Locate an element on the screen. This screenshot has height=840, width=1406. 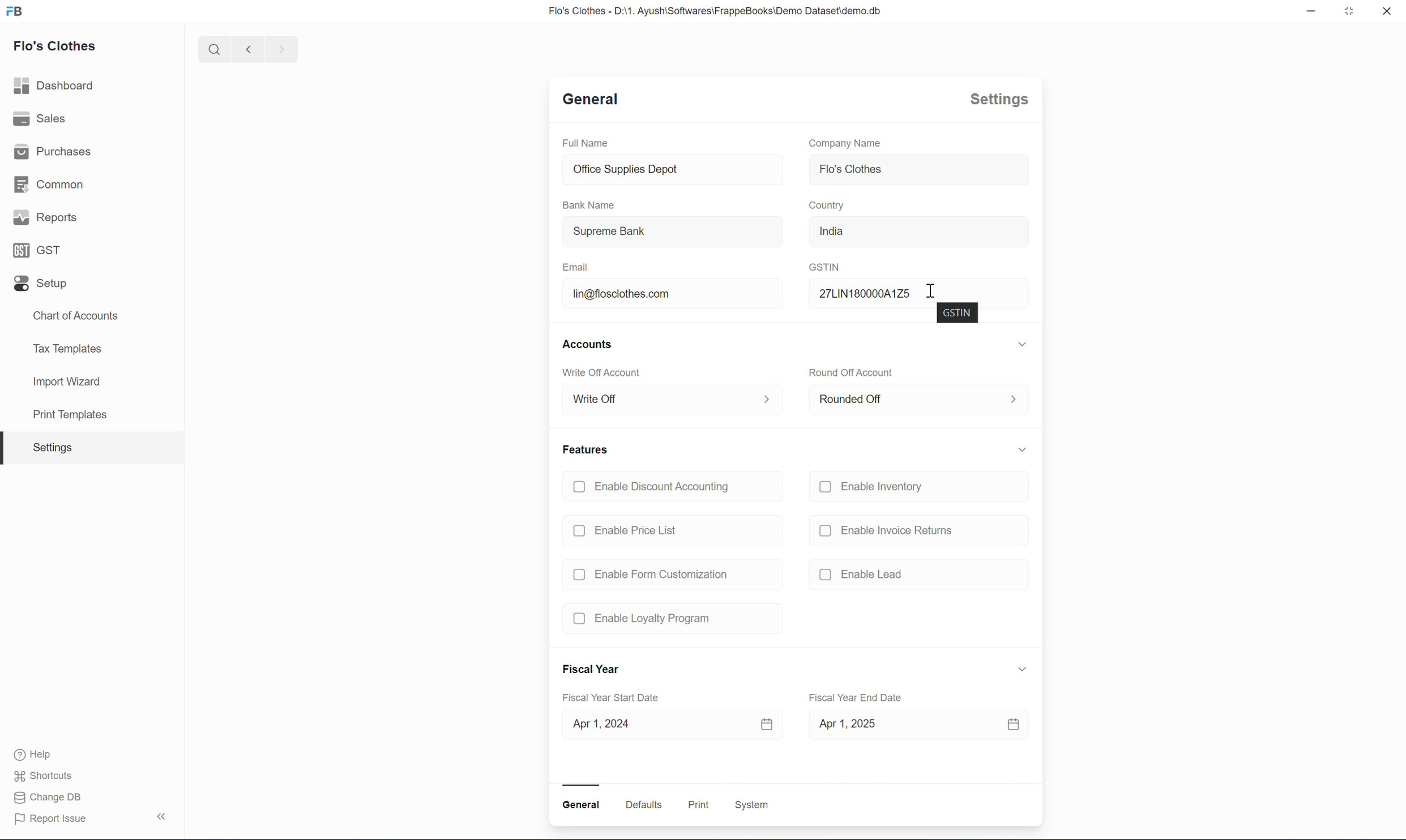
Change DB is located at coordinates (48, 797).